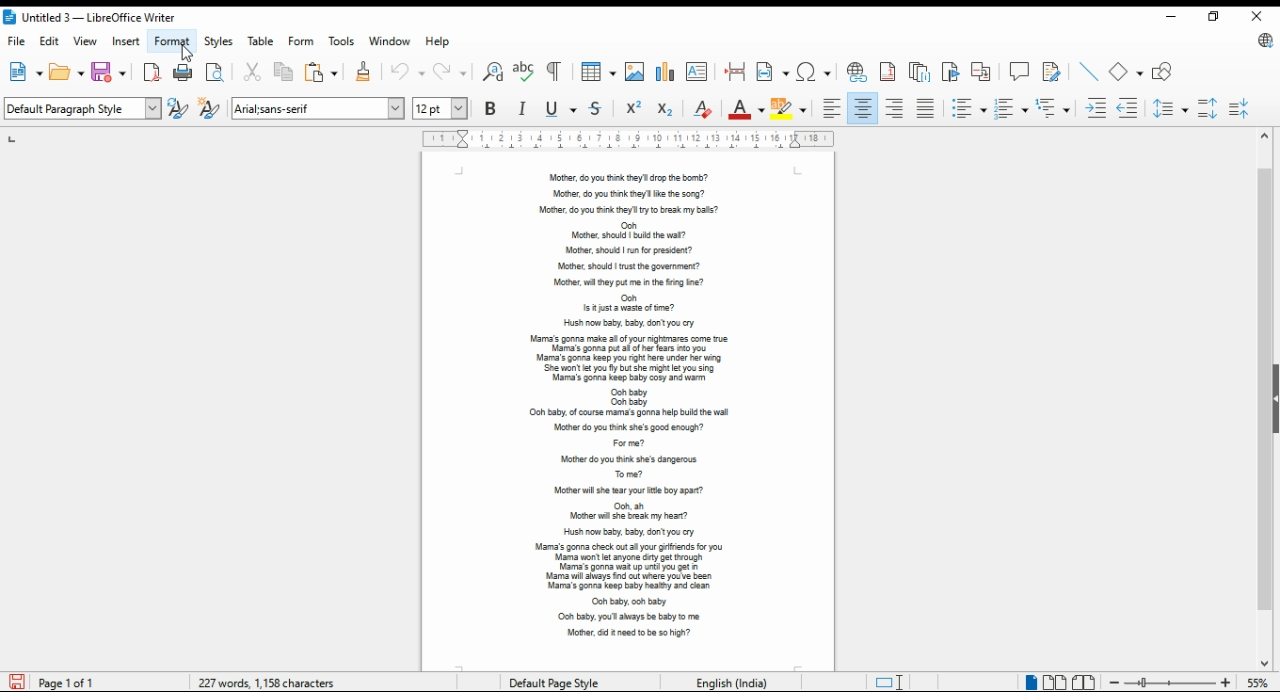 This screenshot has width=1280, height=692. I want to click on ruler, so click(627, 140).